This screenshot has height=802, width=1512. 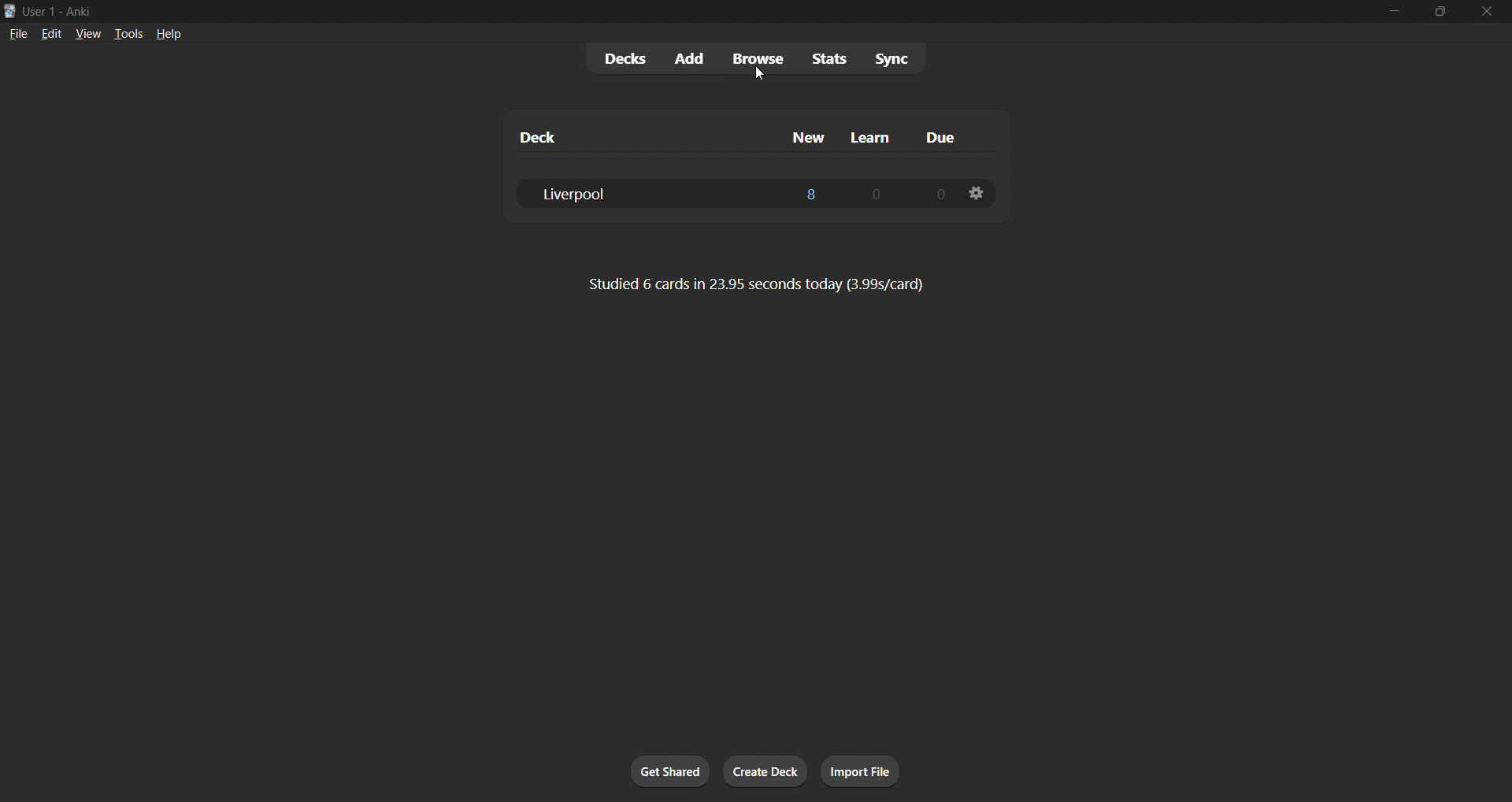 What do you see at coordinates (576, 193) in the screenshot?
I see `liverpool` at bounding box center [576, 193].